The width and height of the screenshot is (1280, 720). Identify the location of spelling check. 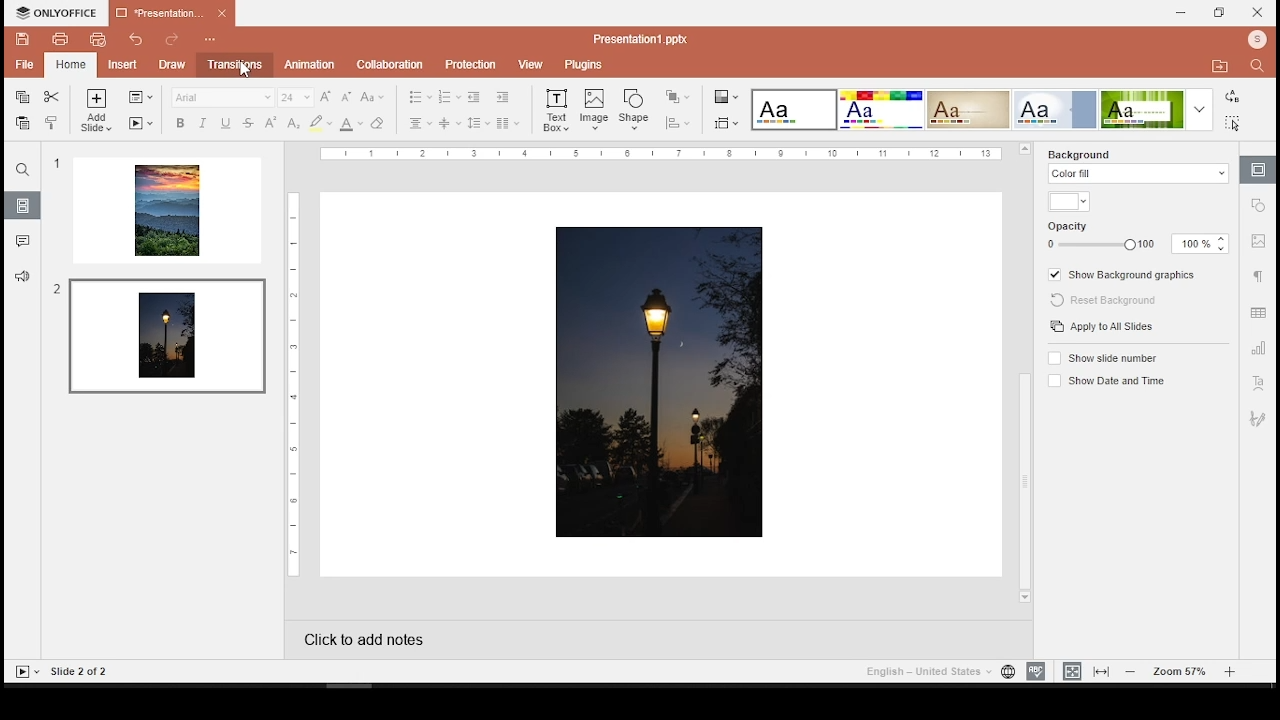
(1035, 671).